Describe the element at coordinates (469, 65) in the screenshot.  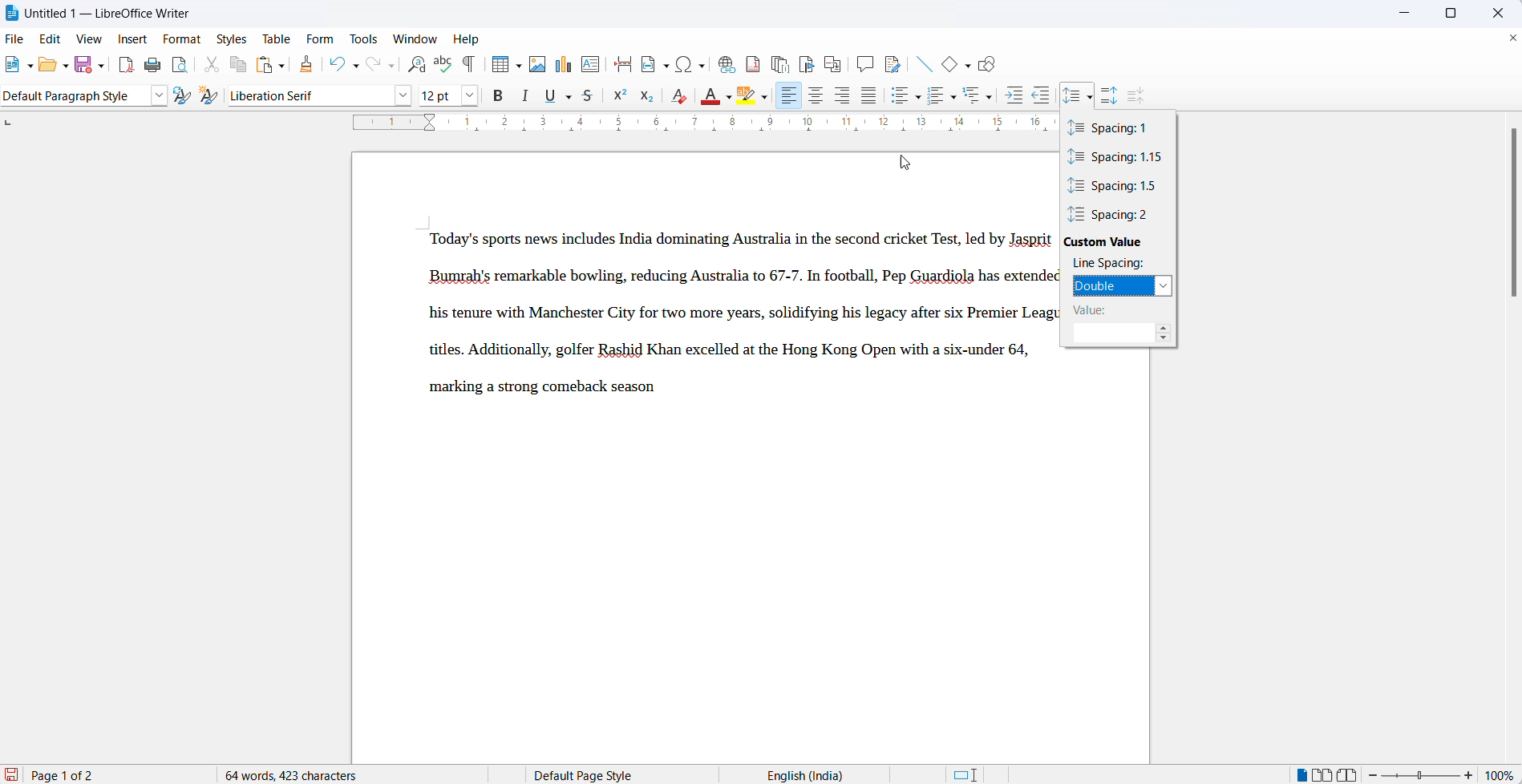
I see `toggle formatting marks` at that location.